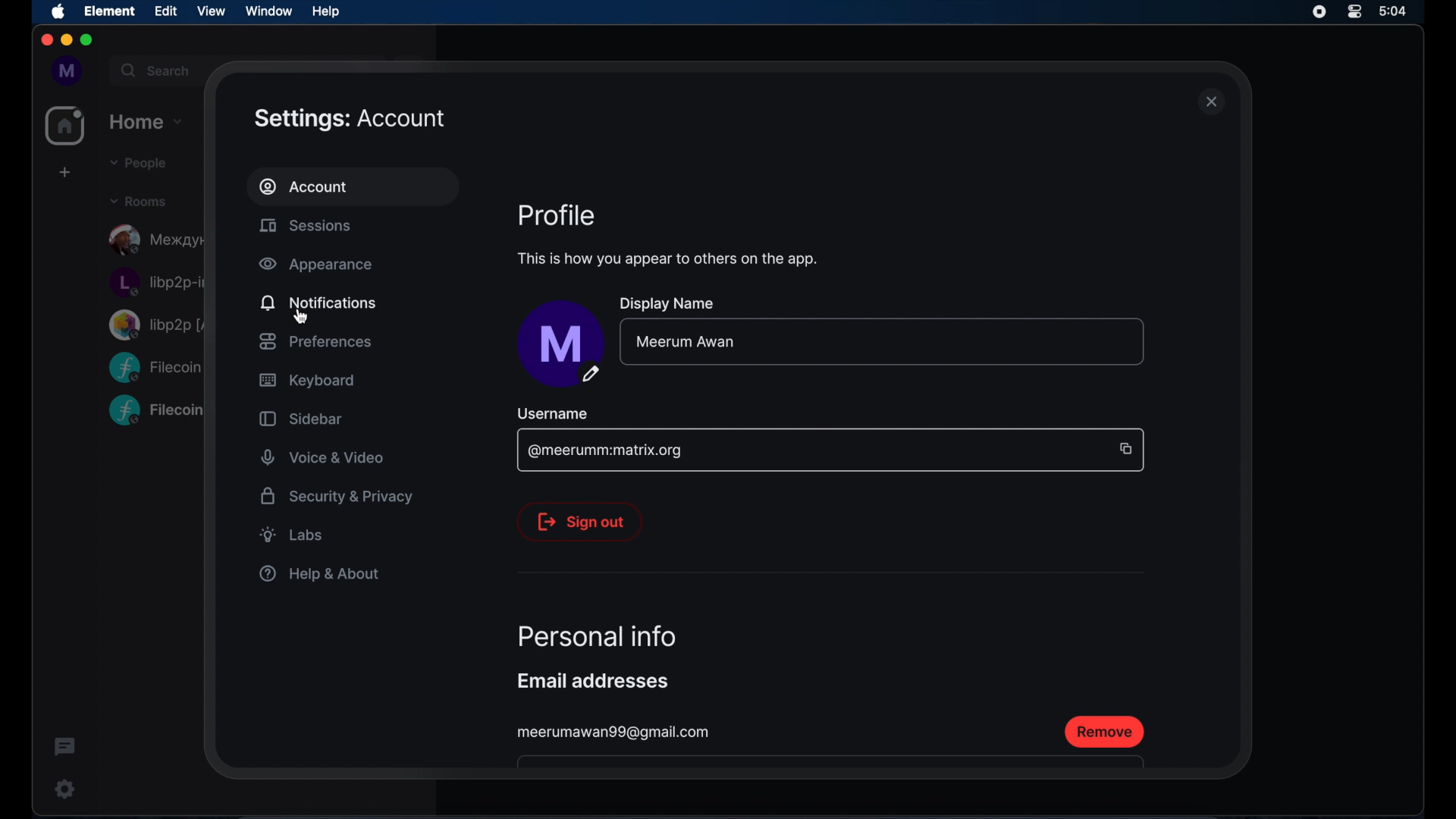 The width and height of the screenshot is (1456, 819). Describe the element at coordinates (63, 71) in the screenshot. I see `profile` at that location.